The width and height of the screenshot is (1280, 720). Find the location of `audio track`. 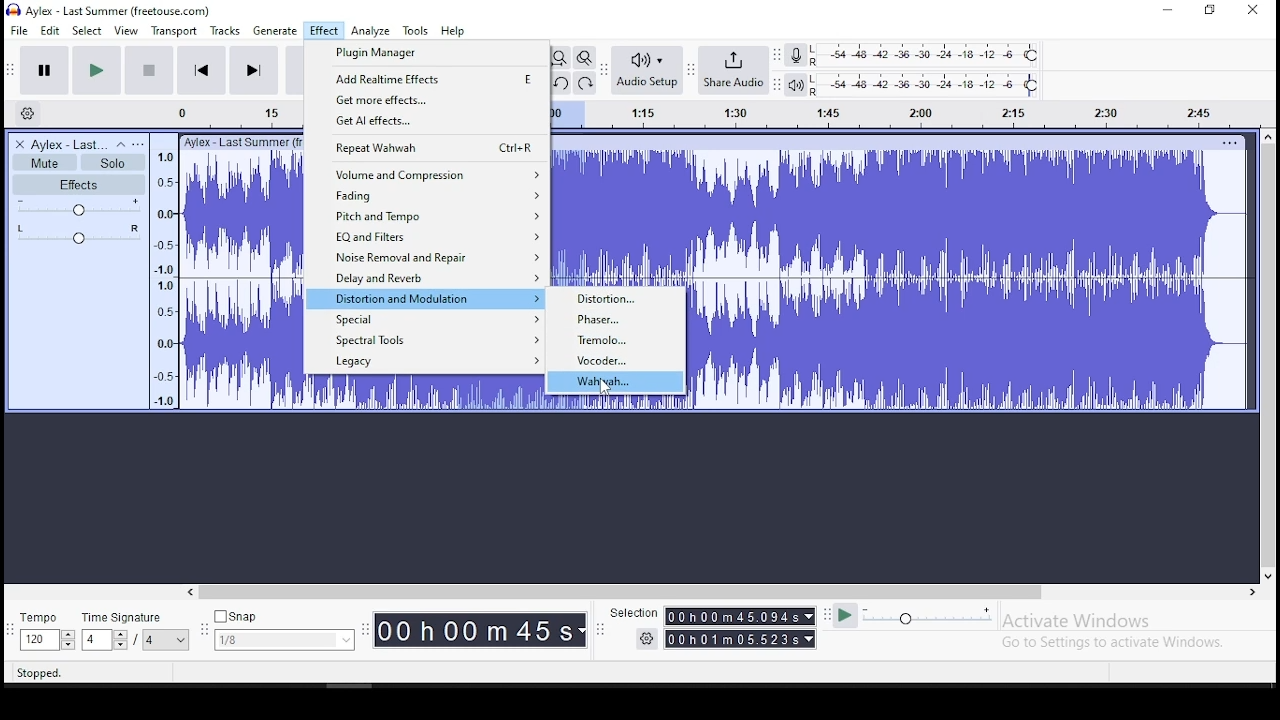

audio track is located at coordinates (616, 404).